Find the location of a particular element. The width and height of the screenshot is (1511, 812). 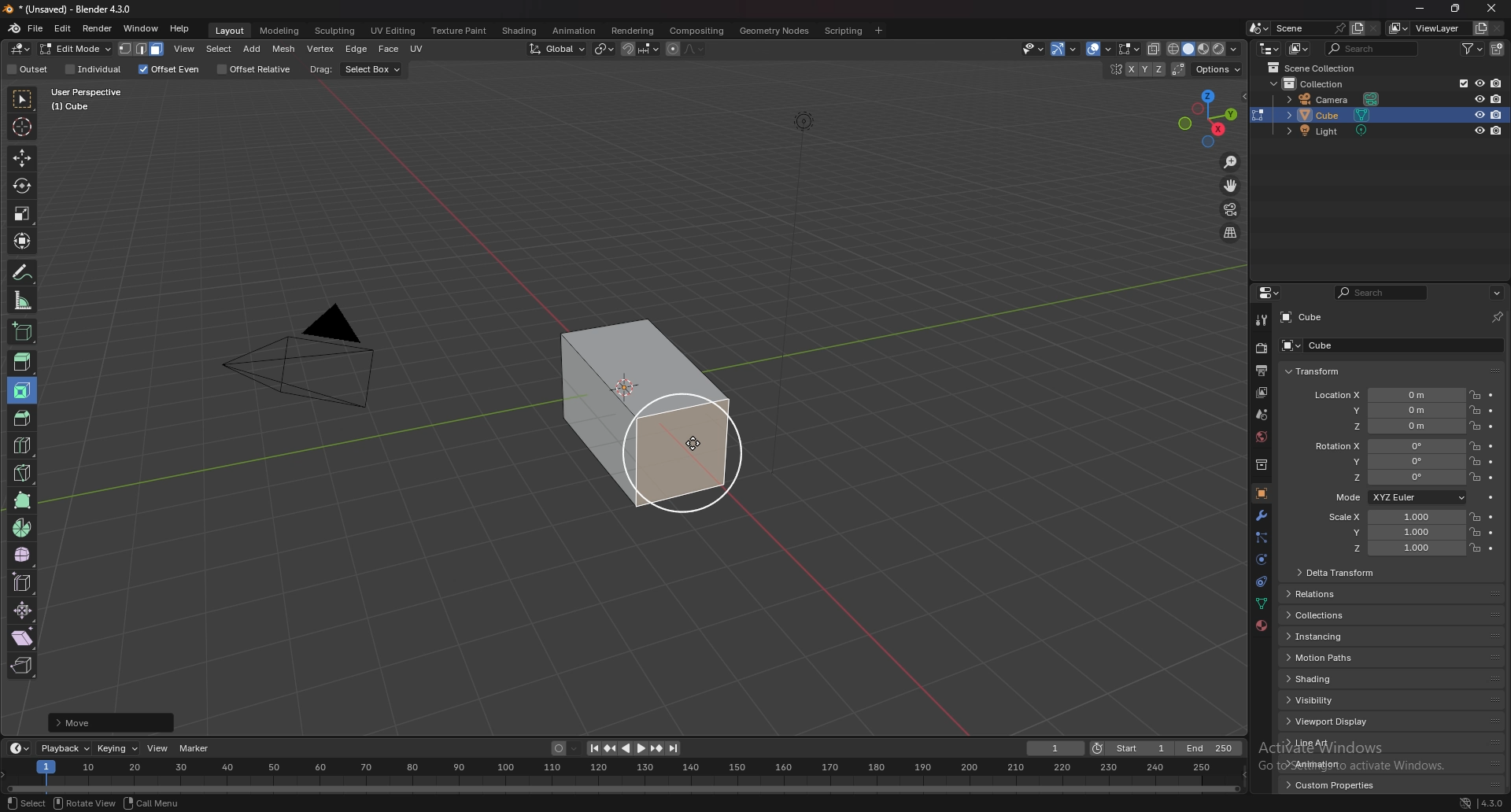

animate property is located at coordinates (1491, 533).